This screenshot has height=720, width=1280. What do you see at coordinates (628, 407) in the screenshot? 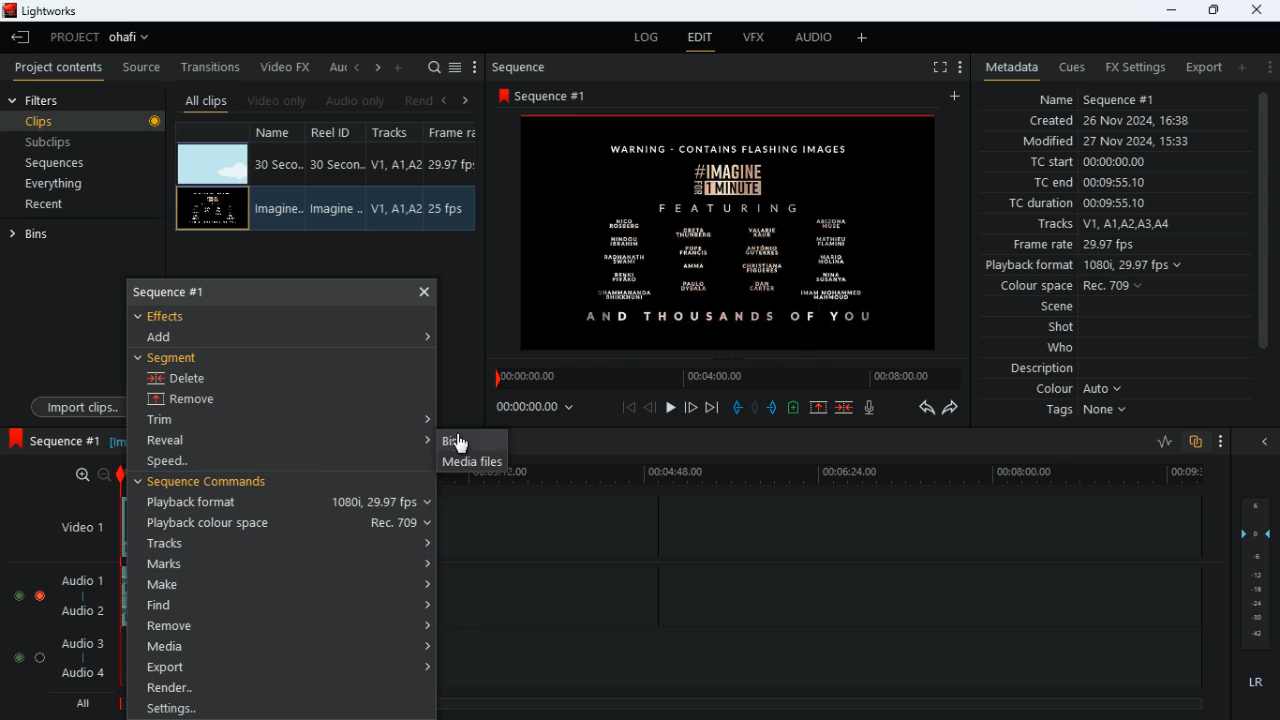
I see `beggining` at bounding box center [628, 407].